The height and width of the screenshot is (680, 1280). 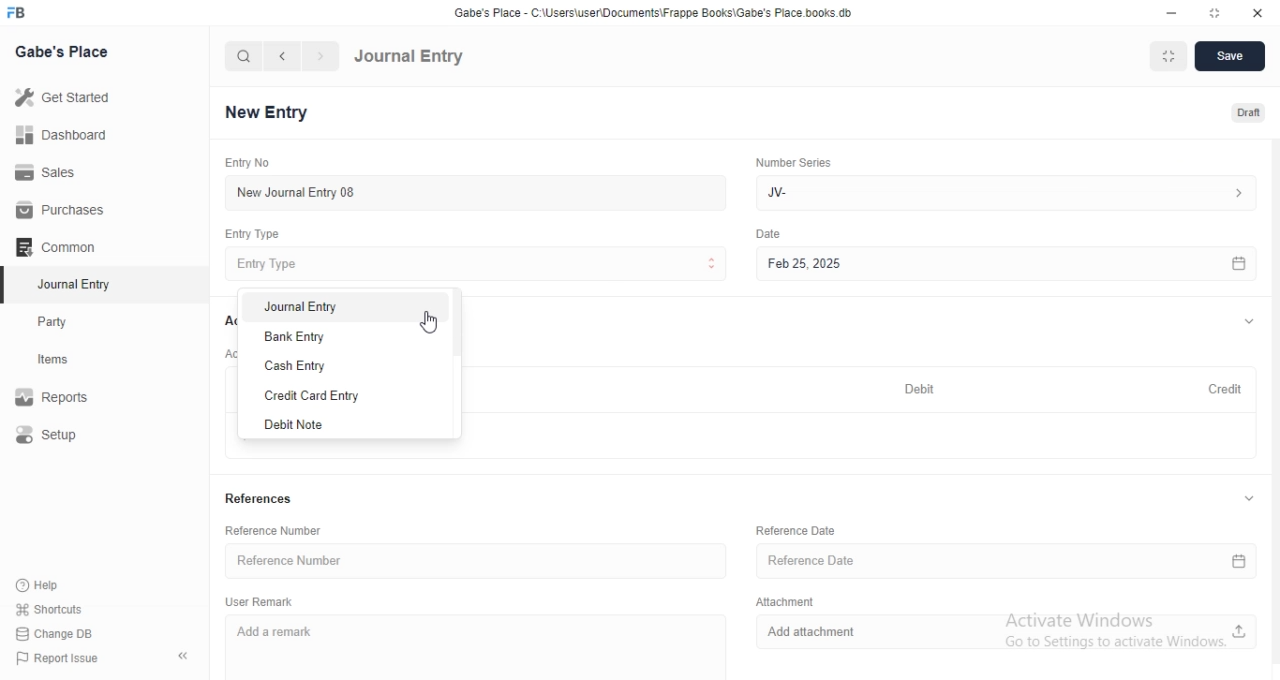 What do you see at coordinates (919, 388) in the screenshot?
I see `Debit` at bounding box center [919, 388].